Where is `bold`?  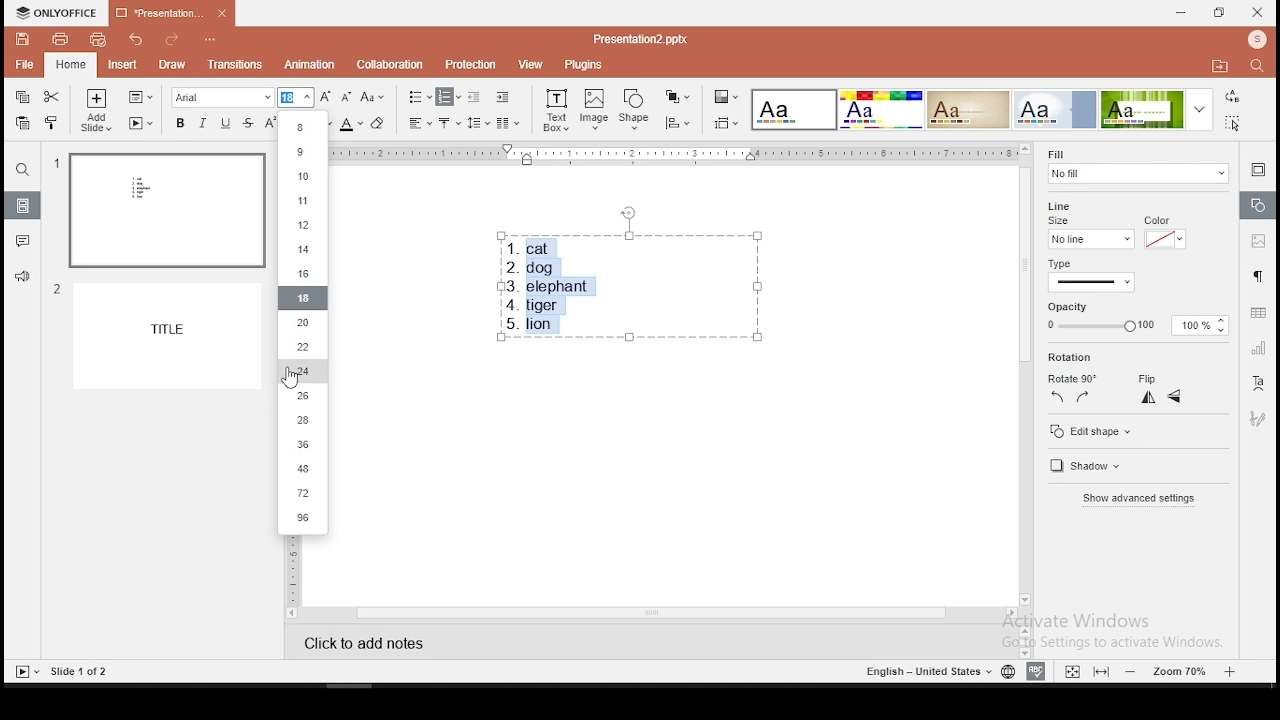
bold is located at coordinates (176, 123).